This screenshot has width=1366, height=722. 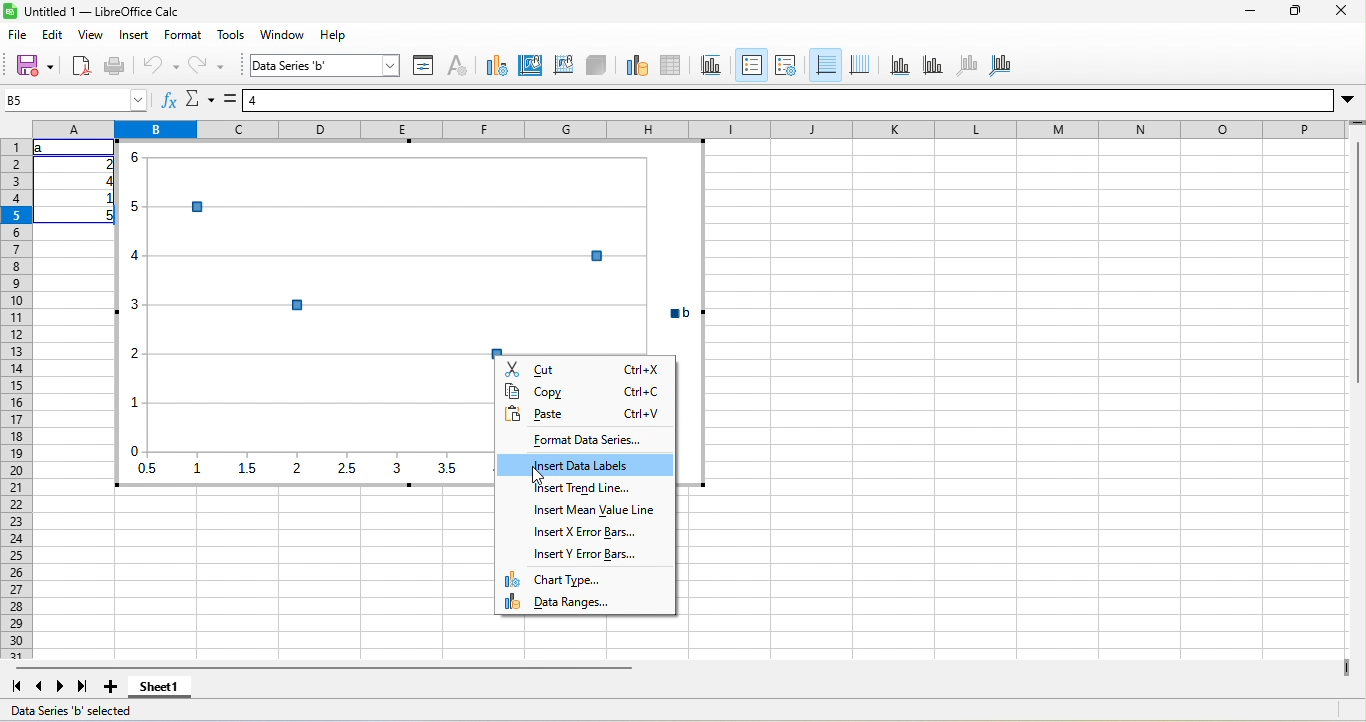 I want to click on character, so click(x=457, y=67).